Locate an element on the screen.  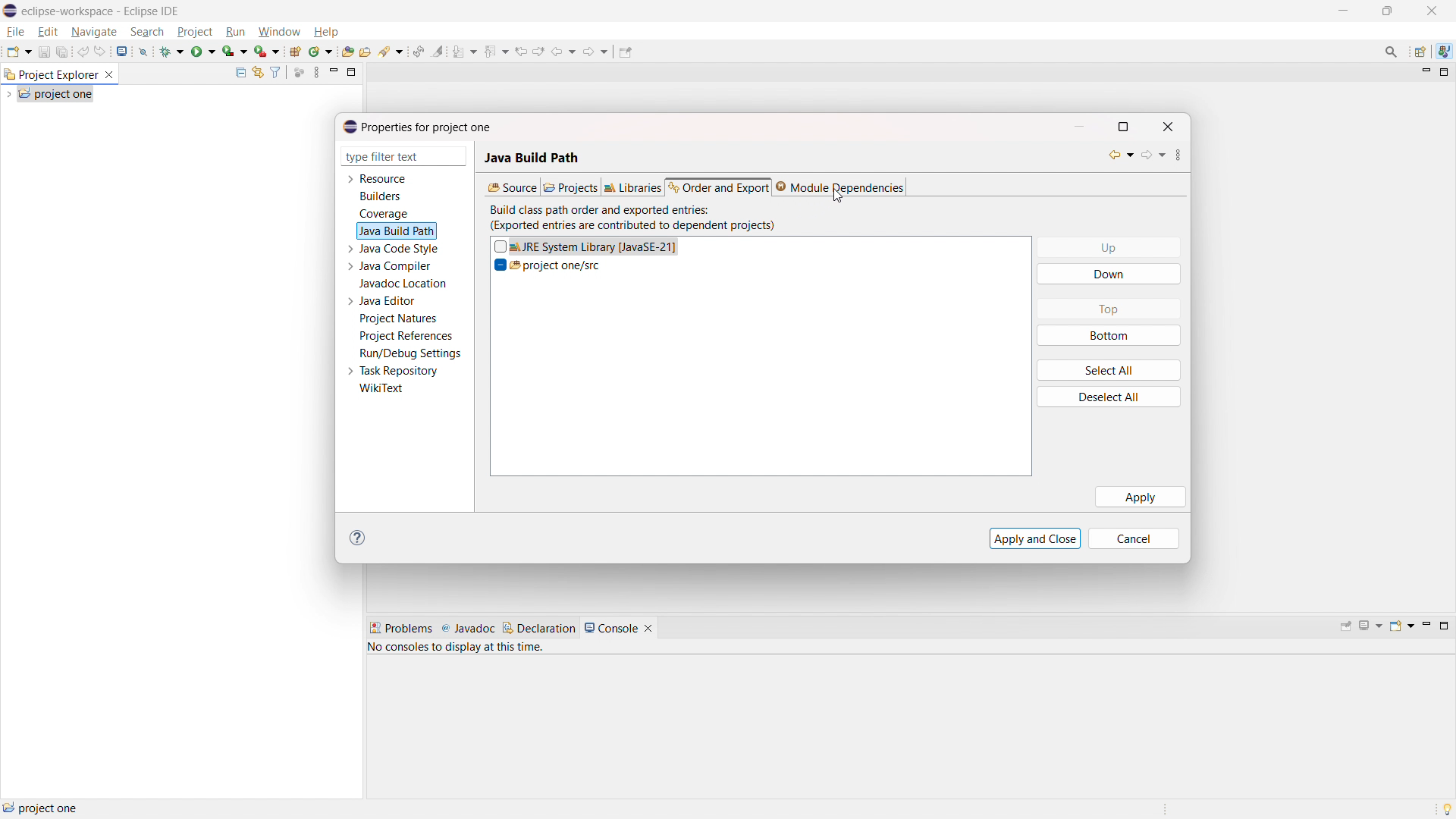
coverage is located at coordinates (235, 51).